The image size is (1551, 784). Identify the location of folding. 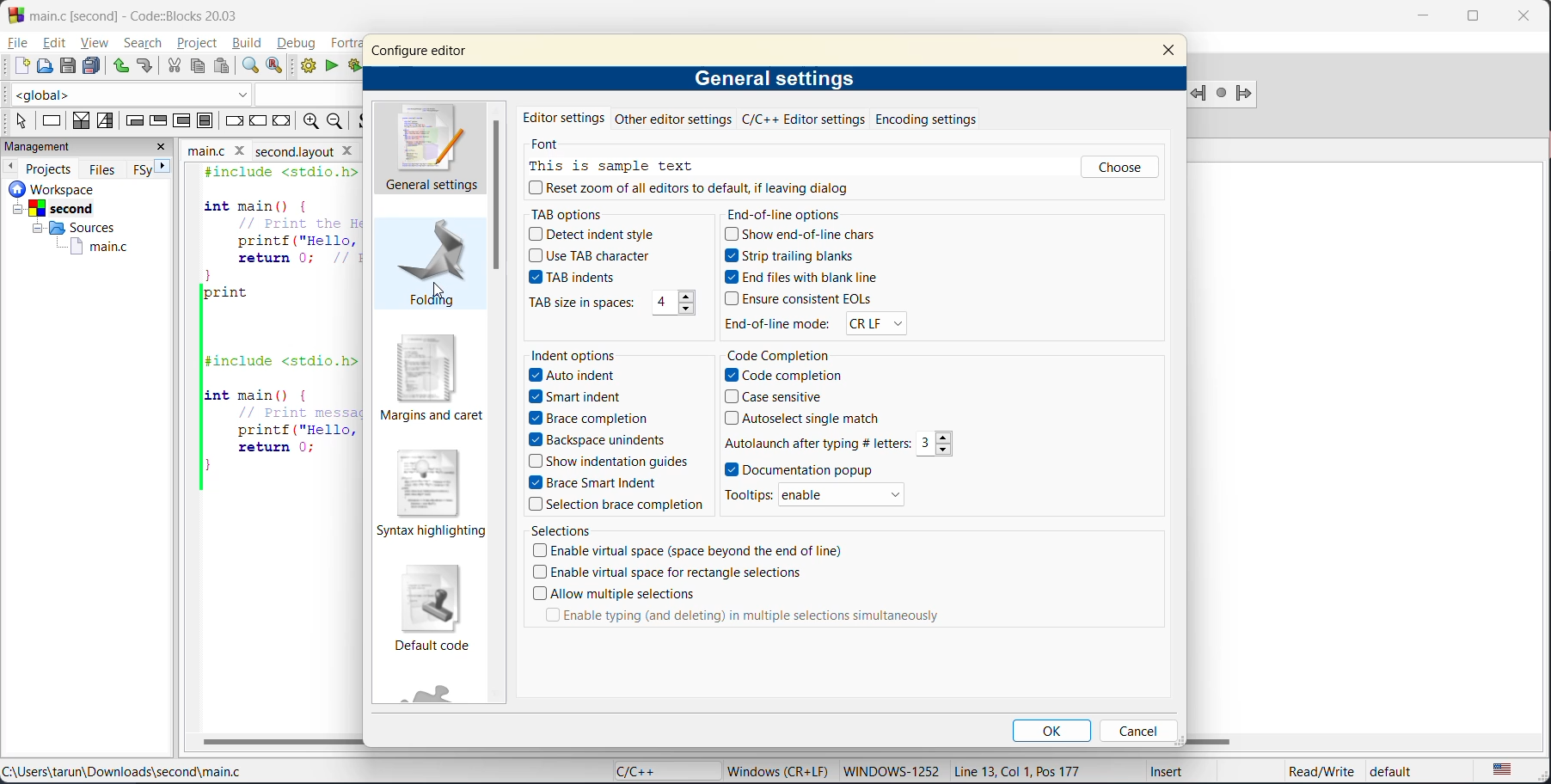
(434, 269).